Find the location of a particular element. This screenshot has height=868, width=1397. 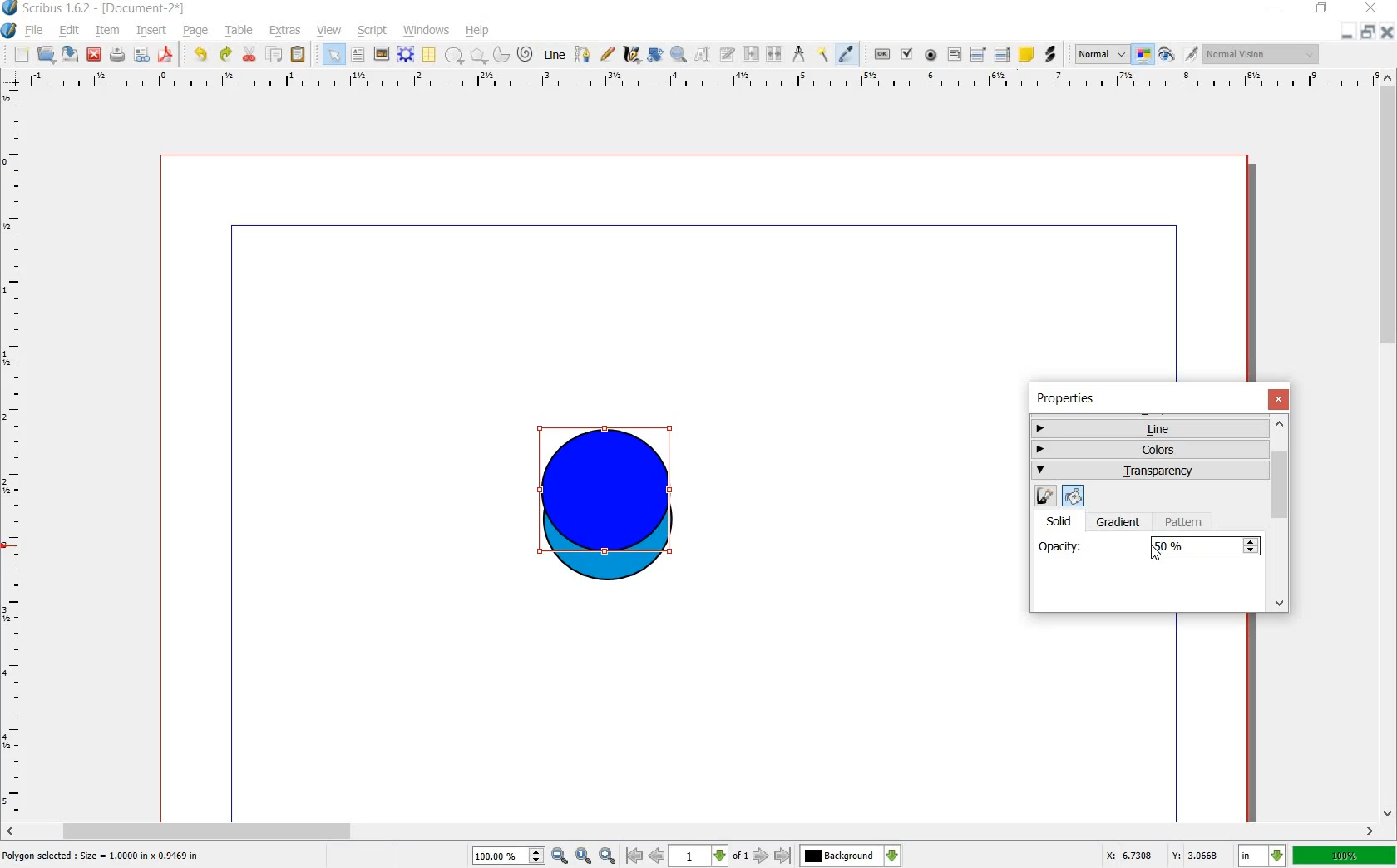

select item is located at coordinates (333, 54).